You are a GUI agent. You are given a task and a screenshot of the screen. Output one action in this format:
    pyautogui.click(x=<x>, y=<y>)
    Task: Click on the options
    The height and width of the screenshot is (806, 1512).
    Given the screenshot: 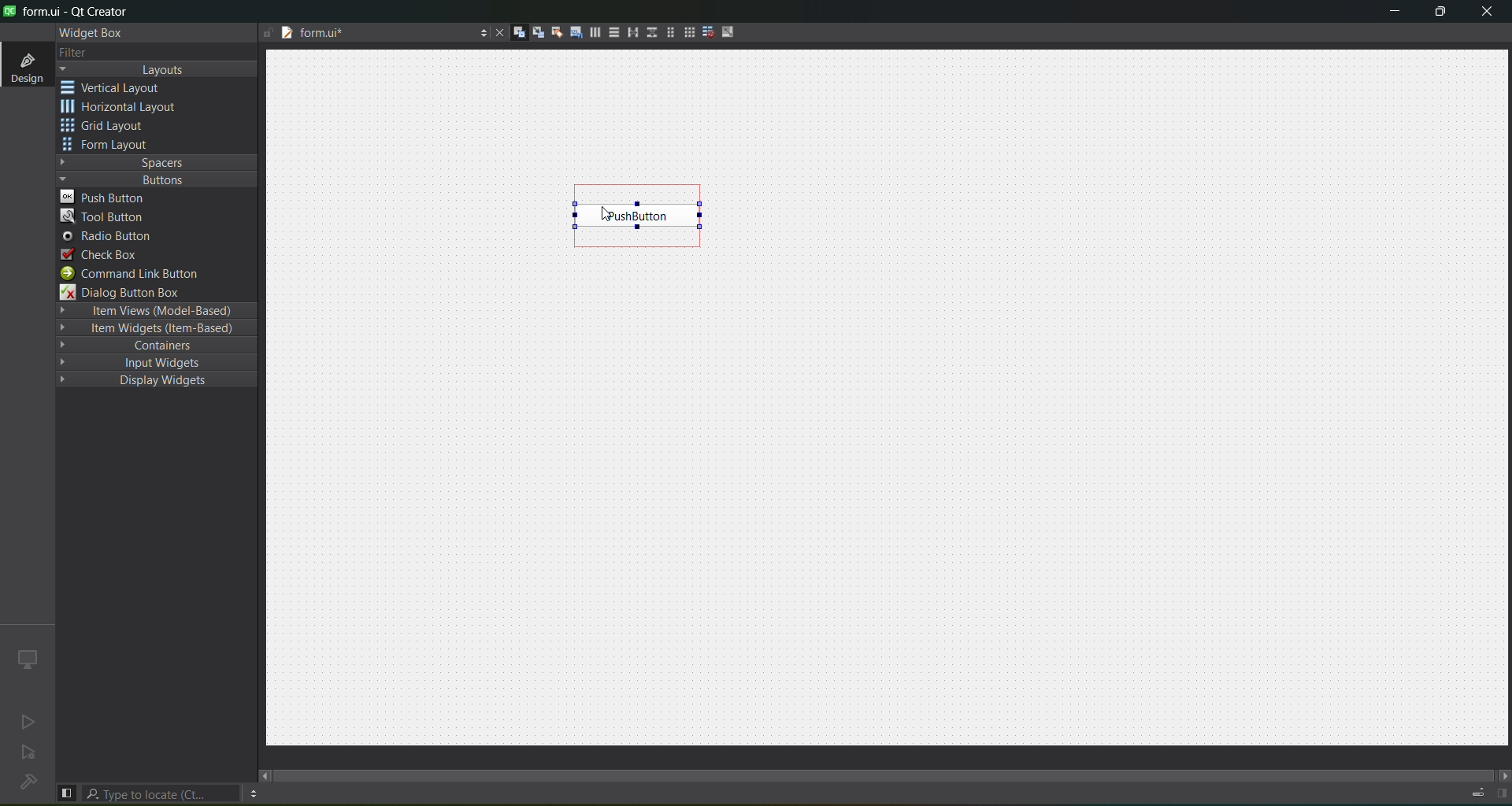 What is the action you would take?
    pyautogui.click(x=480, y=31)
    